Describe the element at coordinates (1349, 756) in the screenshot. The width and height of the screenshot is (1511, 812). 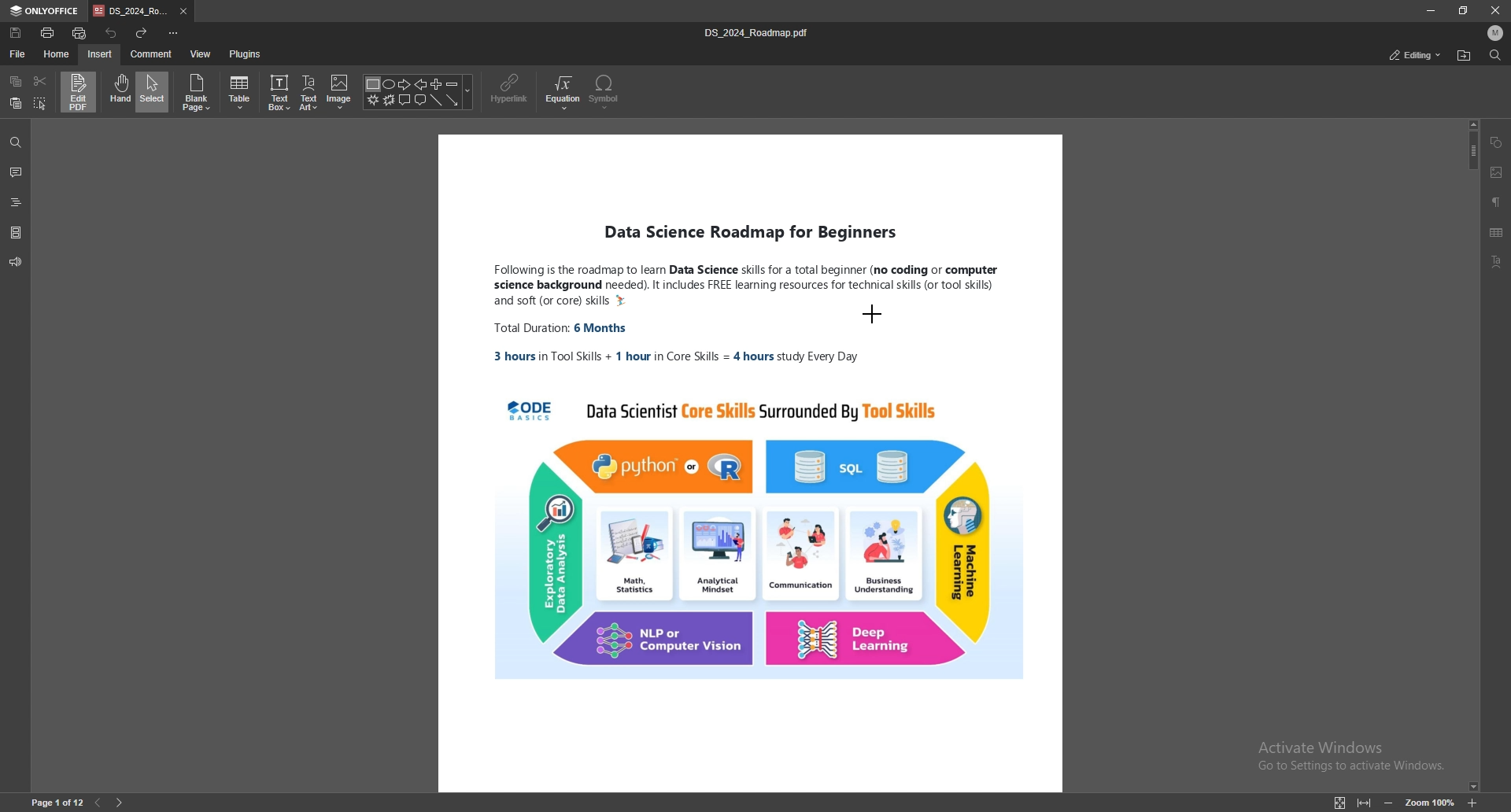
I see `Activate Windows
Go to Settings to activate Windows.` at that location.